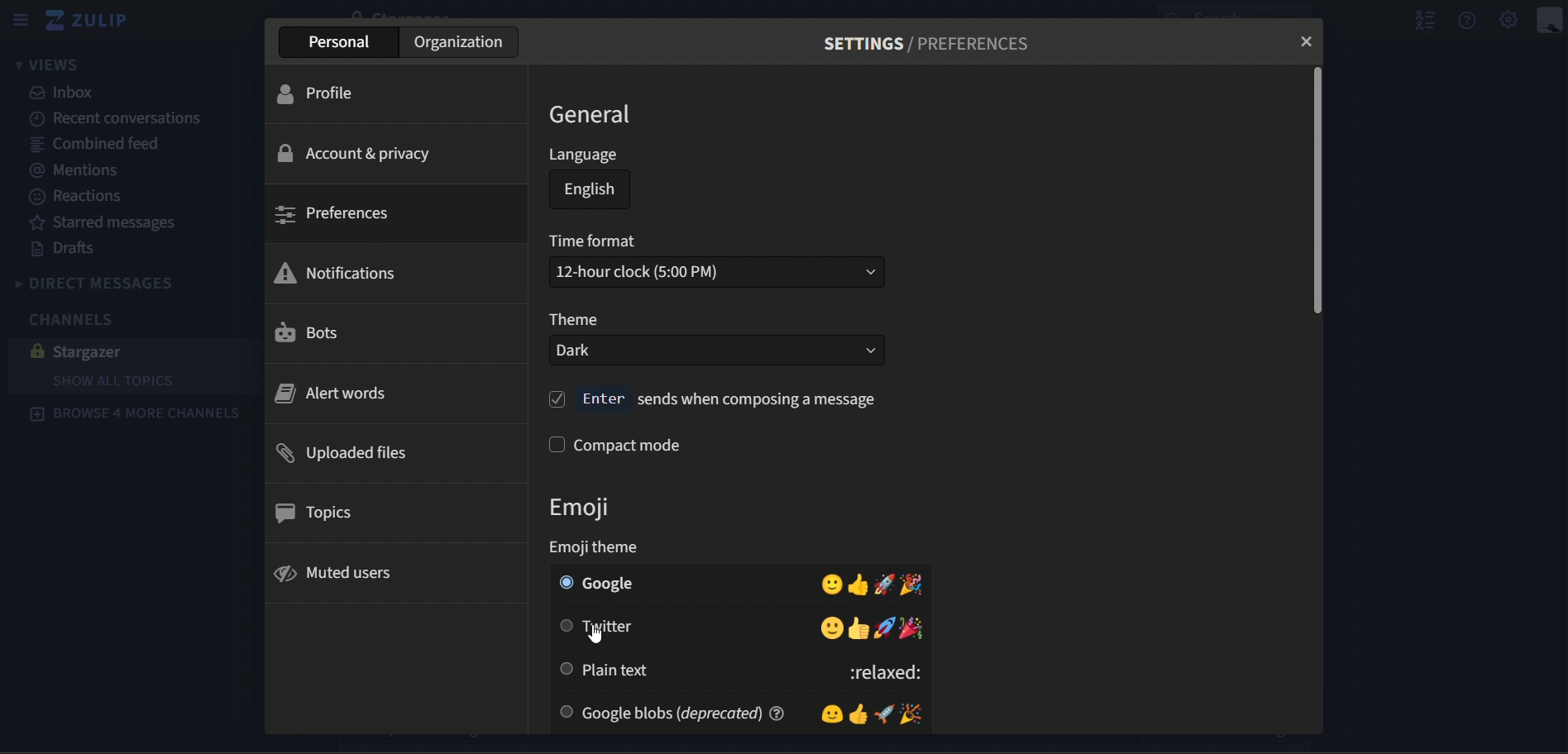  I want to click on account & privacy, so click(354, 152).